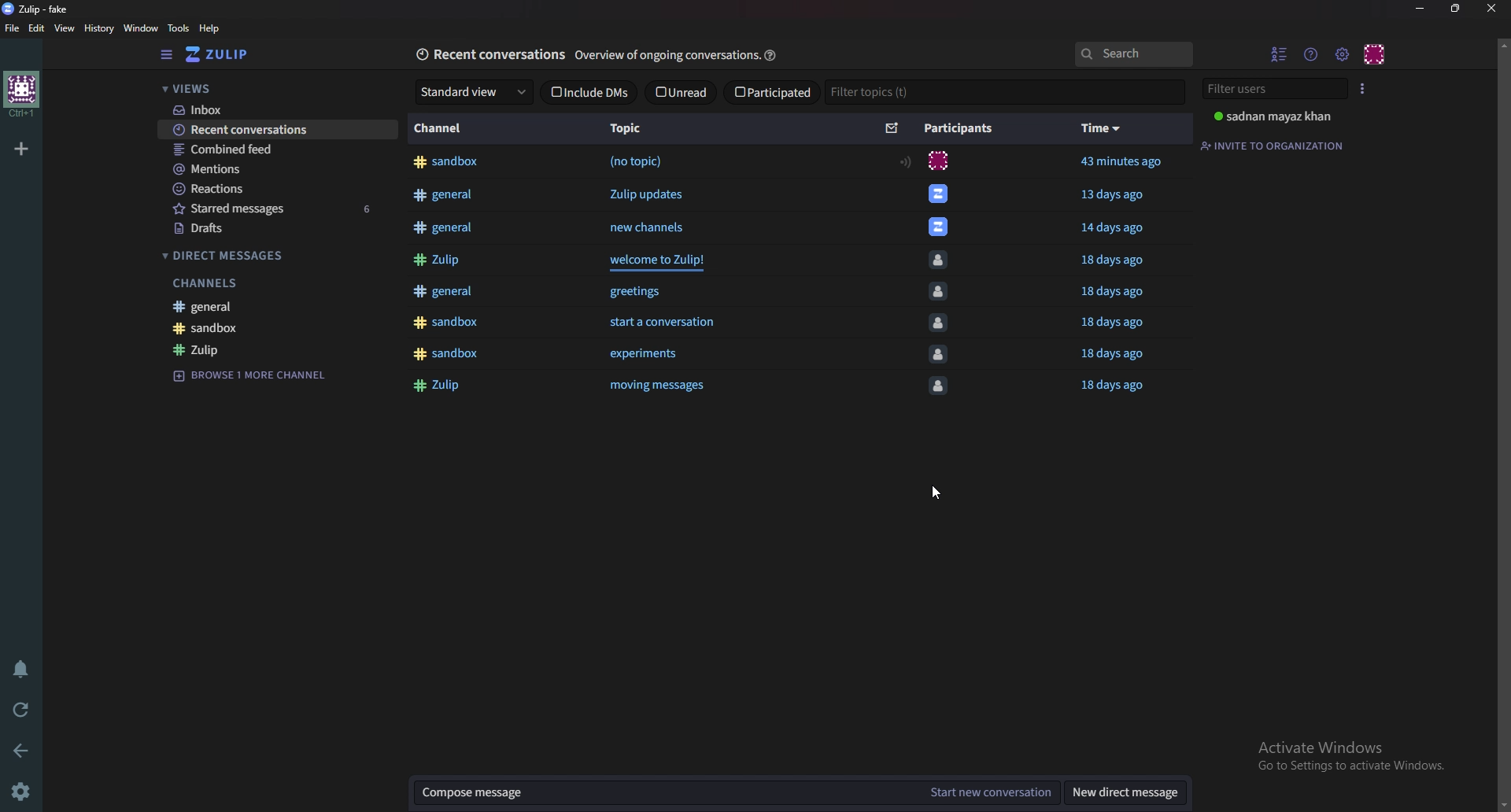 This screenshot has height=812, width=1511. Describe the element at coordinates (20, 668) in the screenshot. I see `Enable do not disturb` at that location.